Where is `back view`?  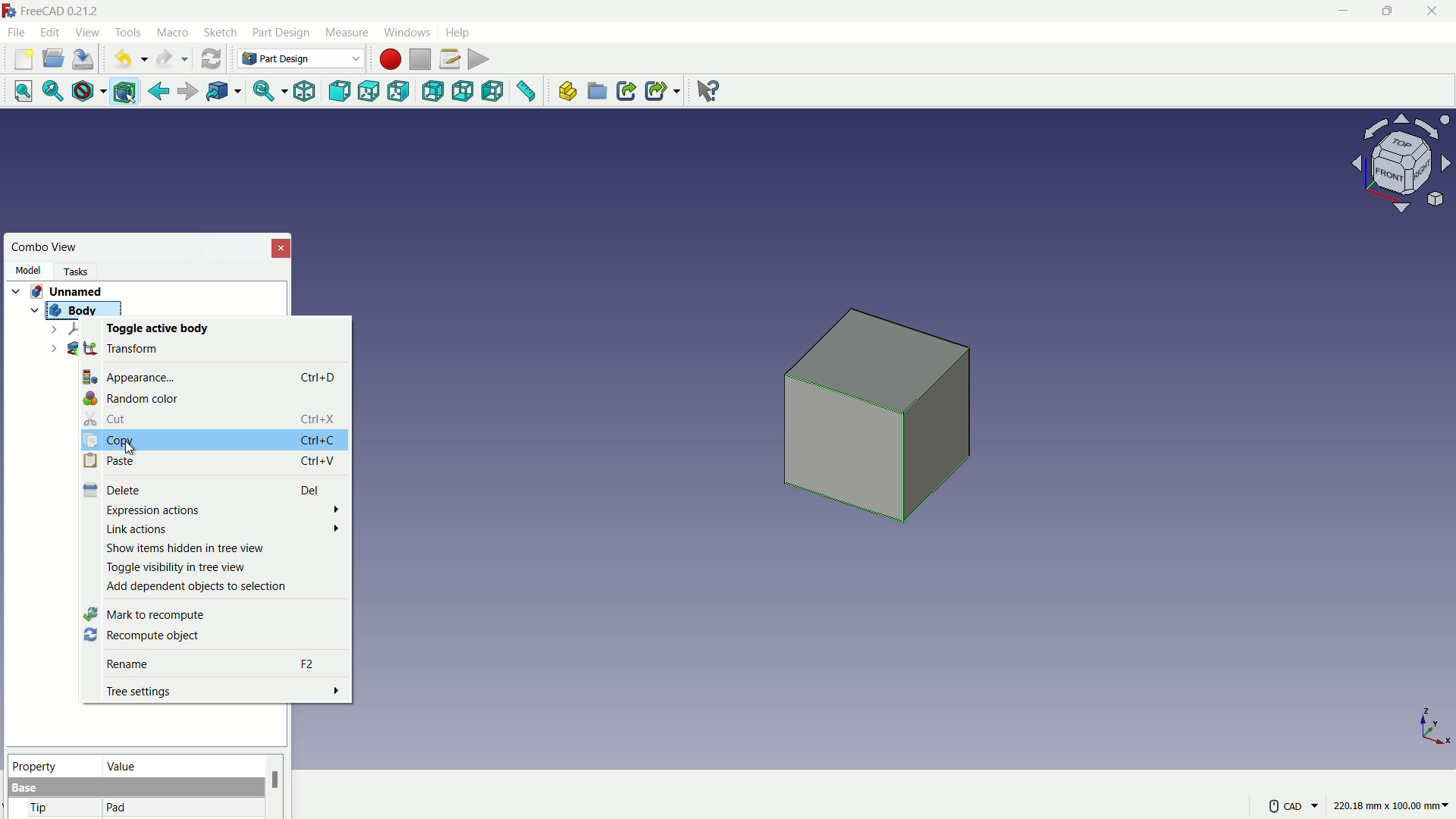
back view is located at coordinates (435, 93).